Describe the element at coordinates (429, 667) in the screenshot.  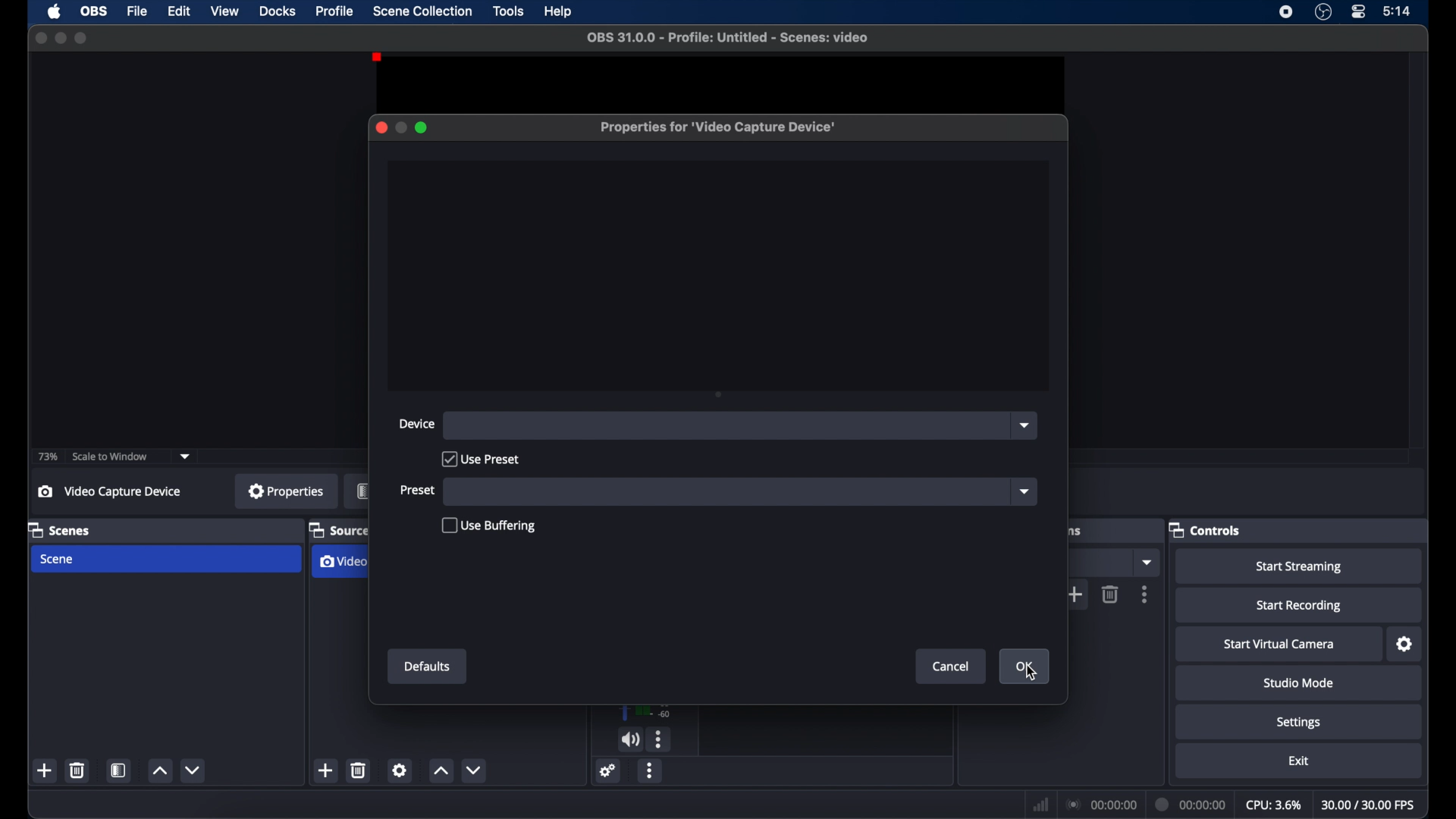
I see `defaults` at that location.